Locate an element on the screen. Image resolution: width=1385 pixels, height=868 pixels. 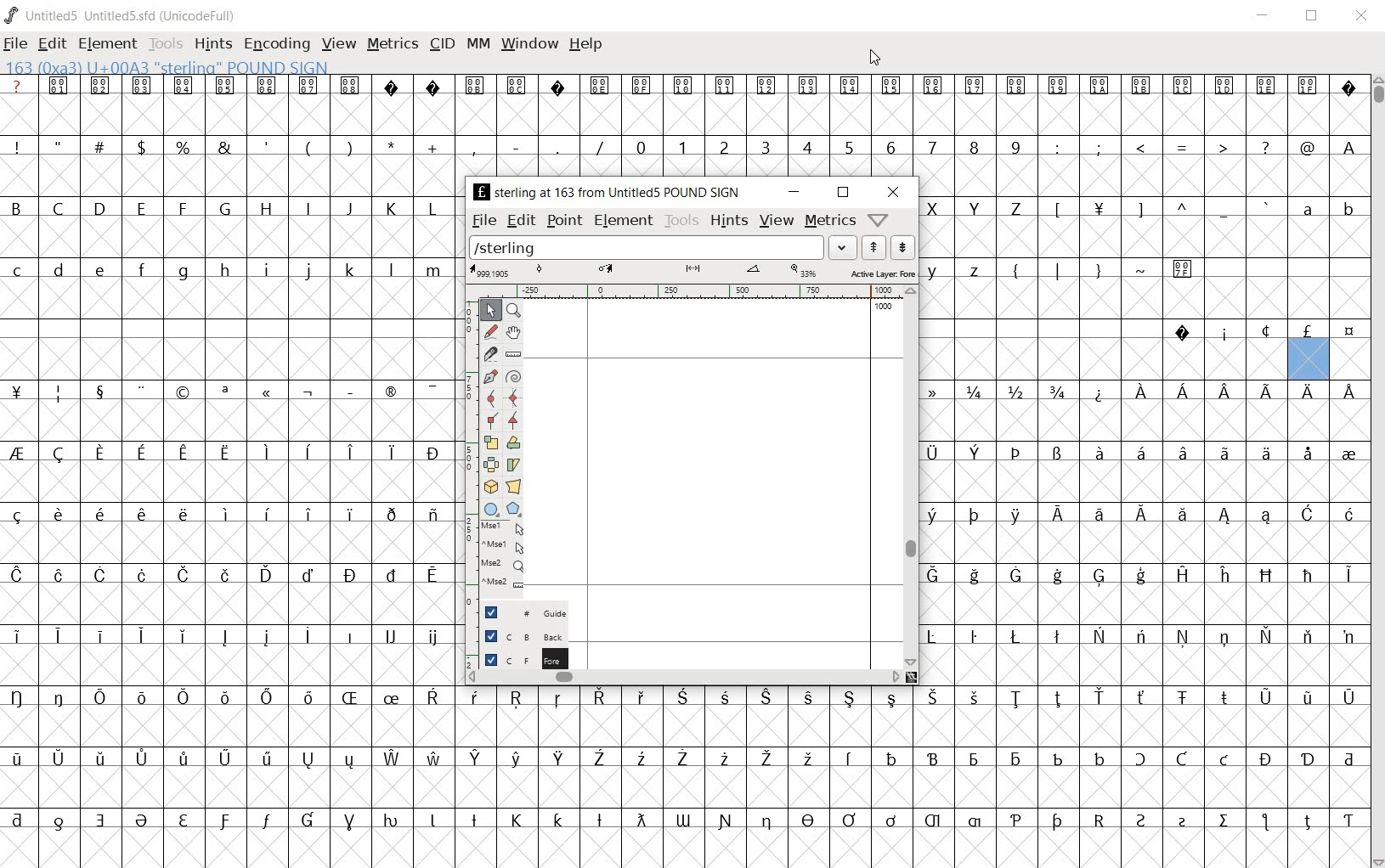
Symbol is located at coordinates (389, 700).